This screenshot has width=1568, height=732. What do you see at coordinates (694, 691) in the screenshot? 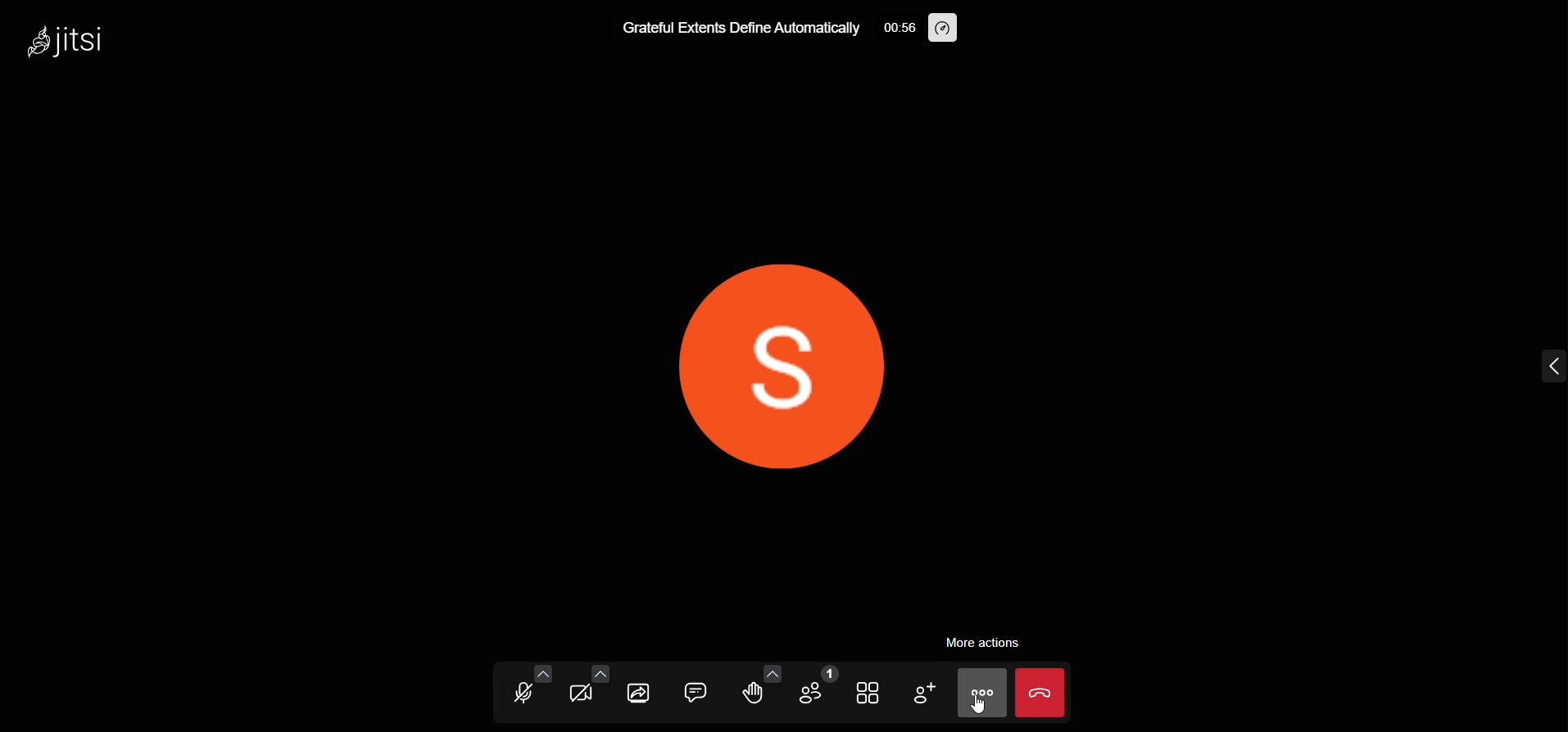
I see `chat` at bounding box center [694, 691].